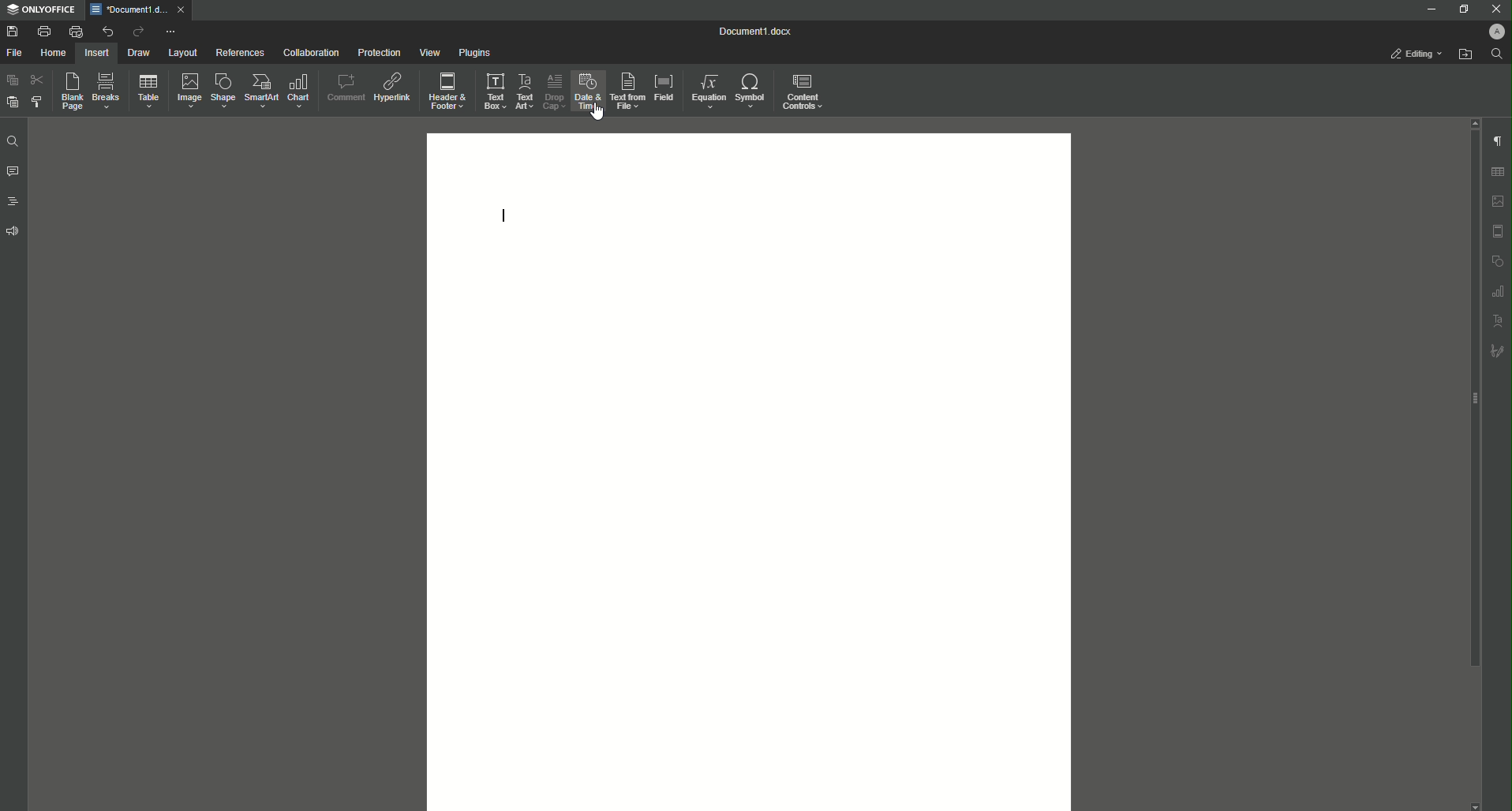 This screenshot has height=811, width=1512. What do you see at coordinates (301, 91) in the screenshot?
I see `Chart` at bounding box center [301, 91].